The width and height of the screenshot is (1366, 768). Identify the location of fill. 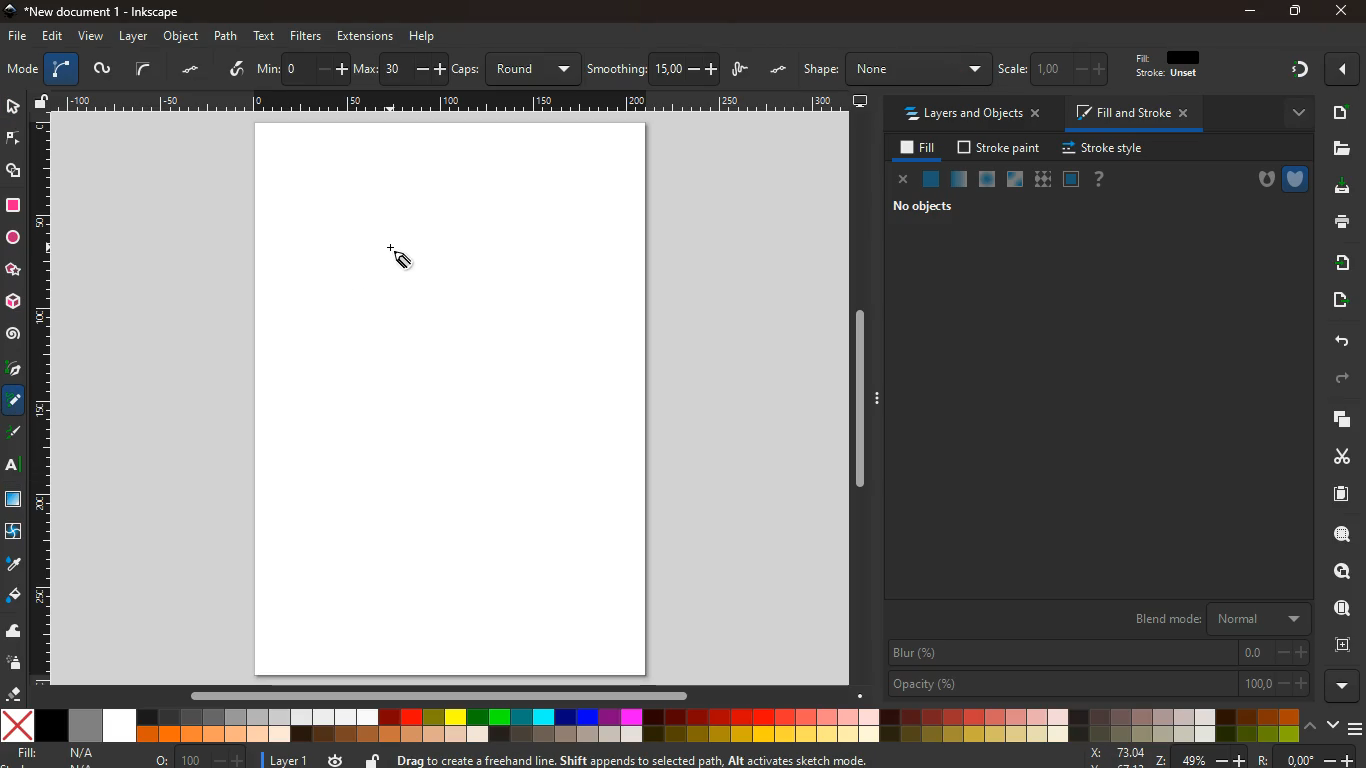
(919, 149).